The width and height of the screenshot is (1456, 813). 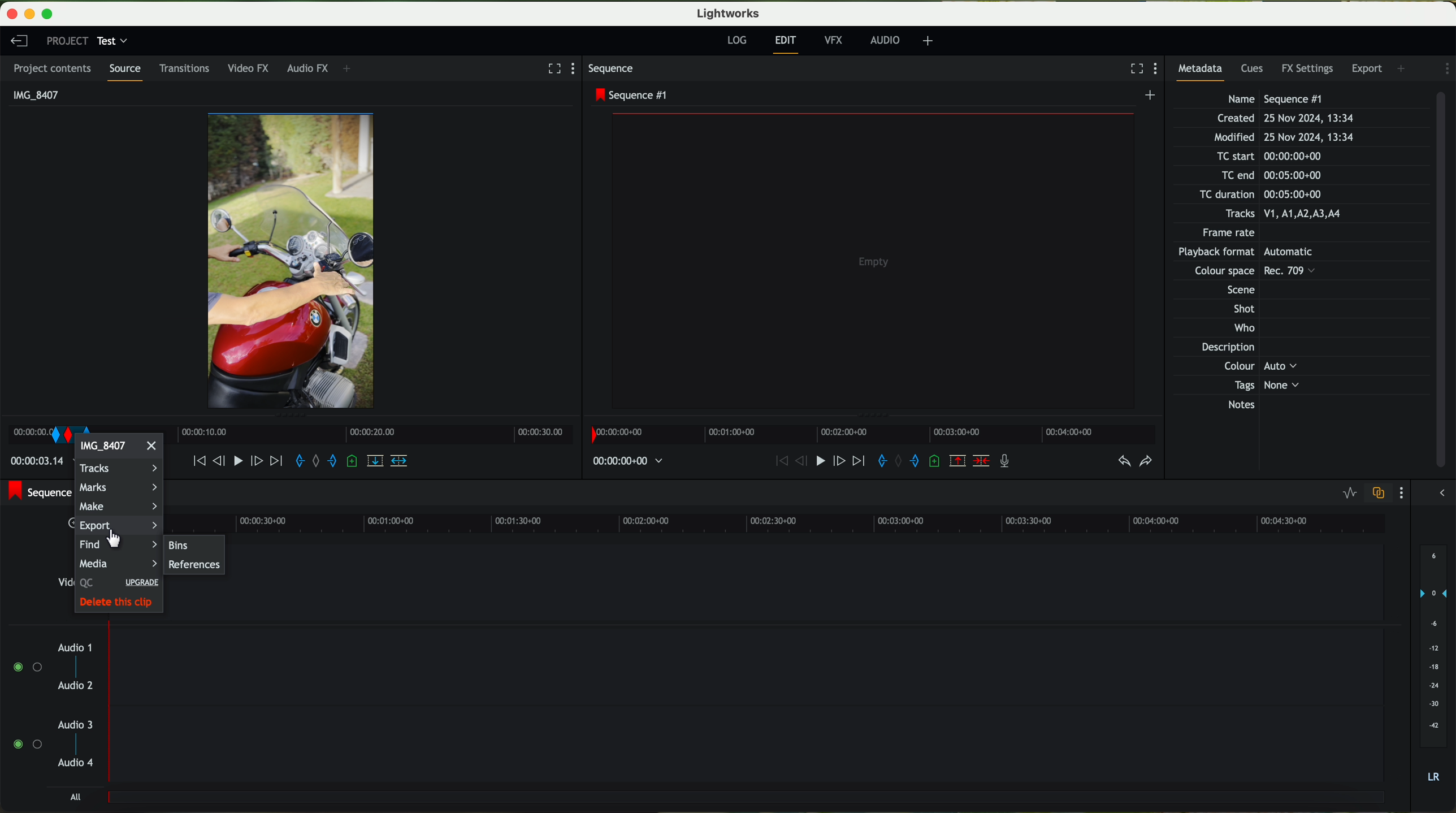 What do you see at coordinates (36, 464) in the screenshot?
I see `time` at bounding box center [36, 464].